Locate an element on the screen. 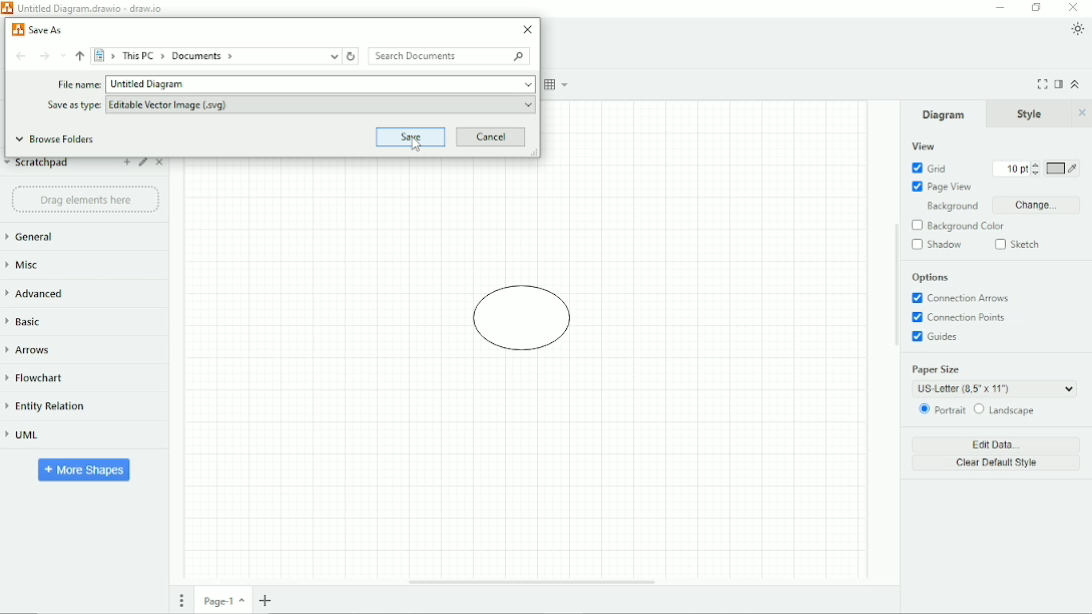 This screenshot has height=614, width=1092. Scratchpad is located at coordinates (36, 166).